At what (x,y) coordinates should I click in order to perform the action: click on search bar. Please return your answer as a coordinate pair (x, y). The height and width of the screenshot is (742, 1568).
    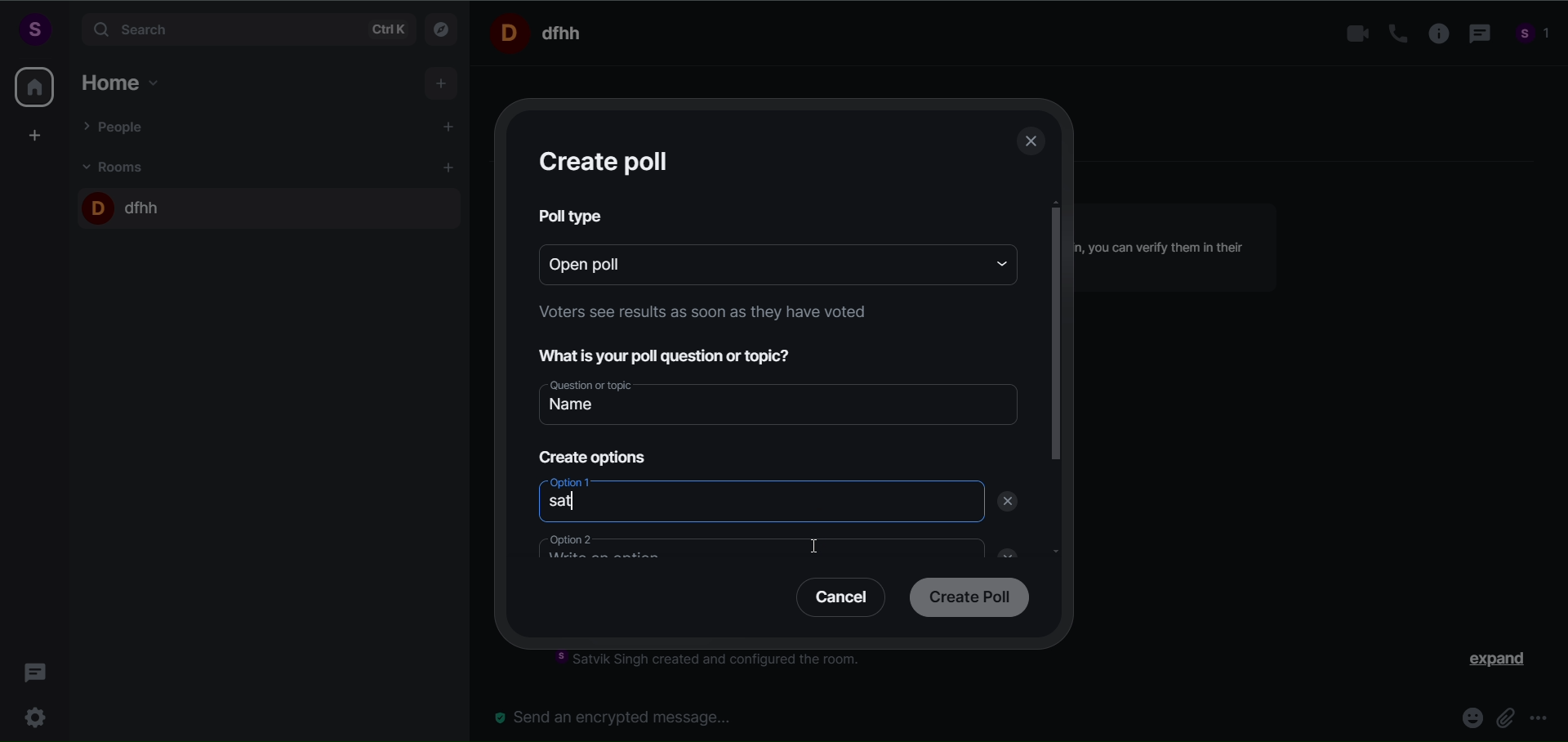
    Looking at the image, I should click on (245, 29).